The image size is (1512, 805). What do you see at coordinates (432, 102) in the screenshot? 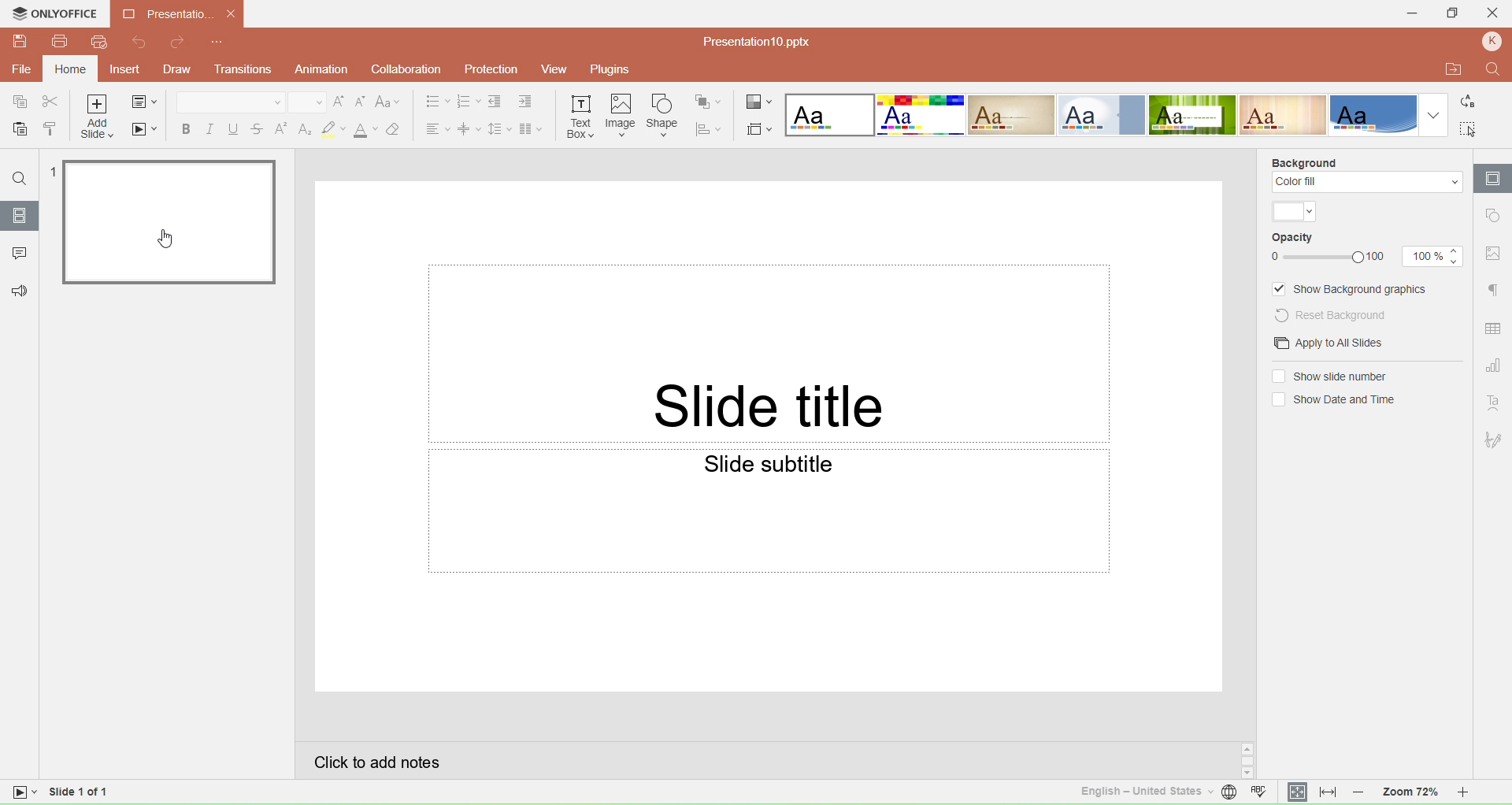
I see `Bullets` at bounding box center [432, 102].